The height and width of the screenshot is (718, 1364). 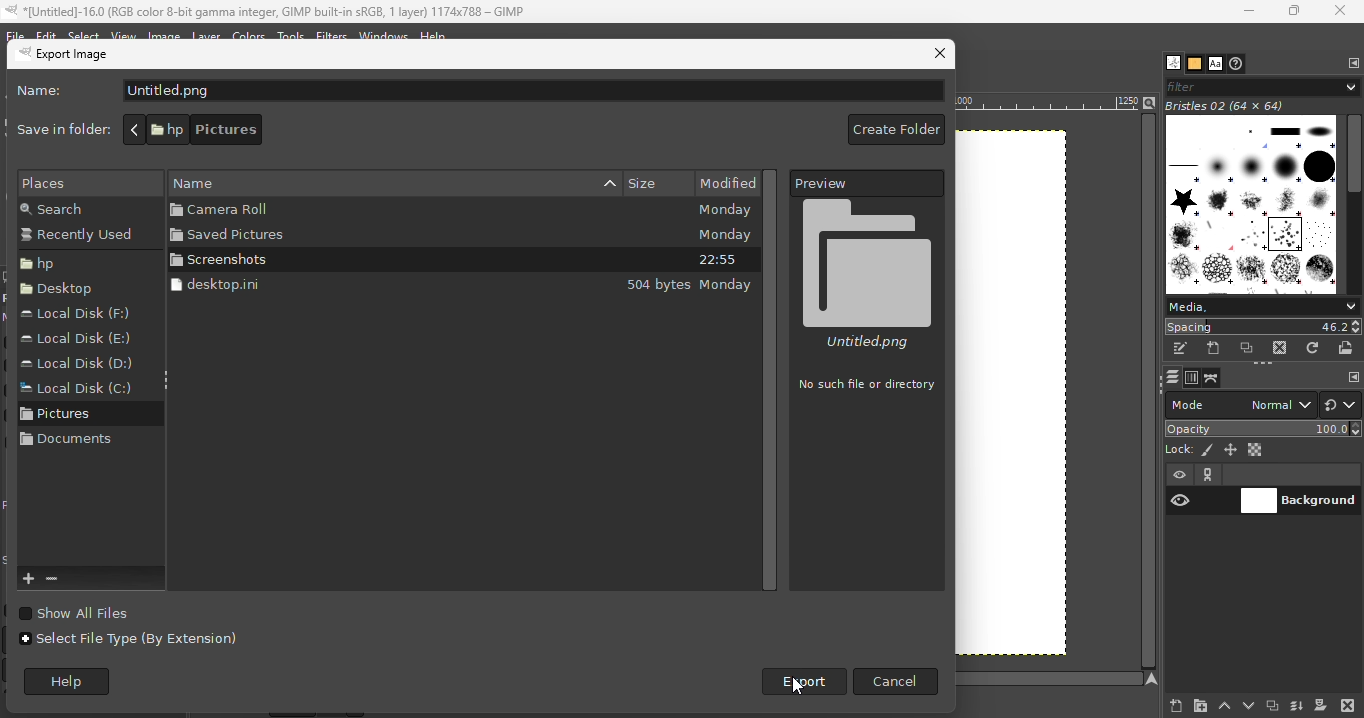 What do you see at coordinates (124, 34) in the screenshot?
I see `View` at bounding box center [124, 34].